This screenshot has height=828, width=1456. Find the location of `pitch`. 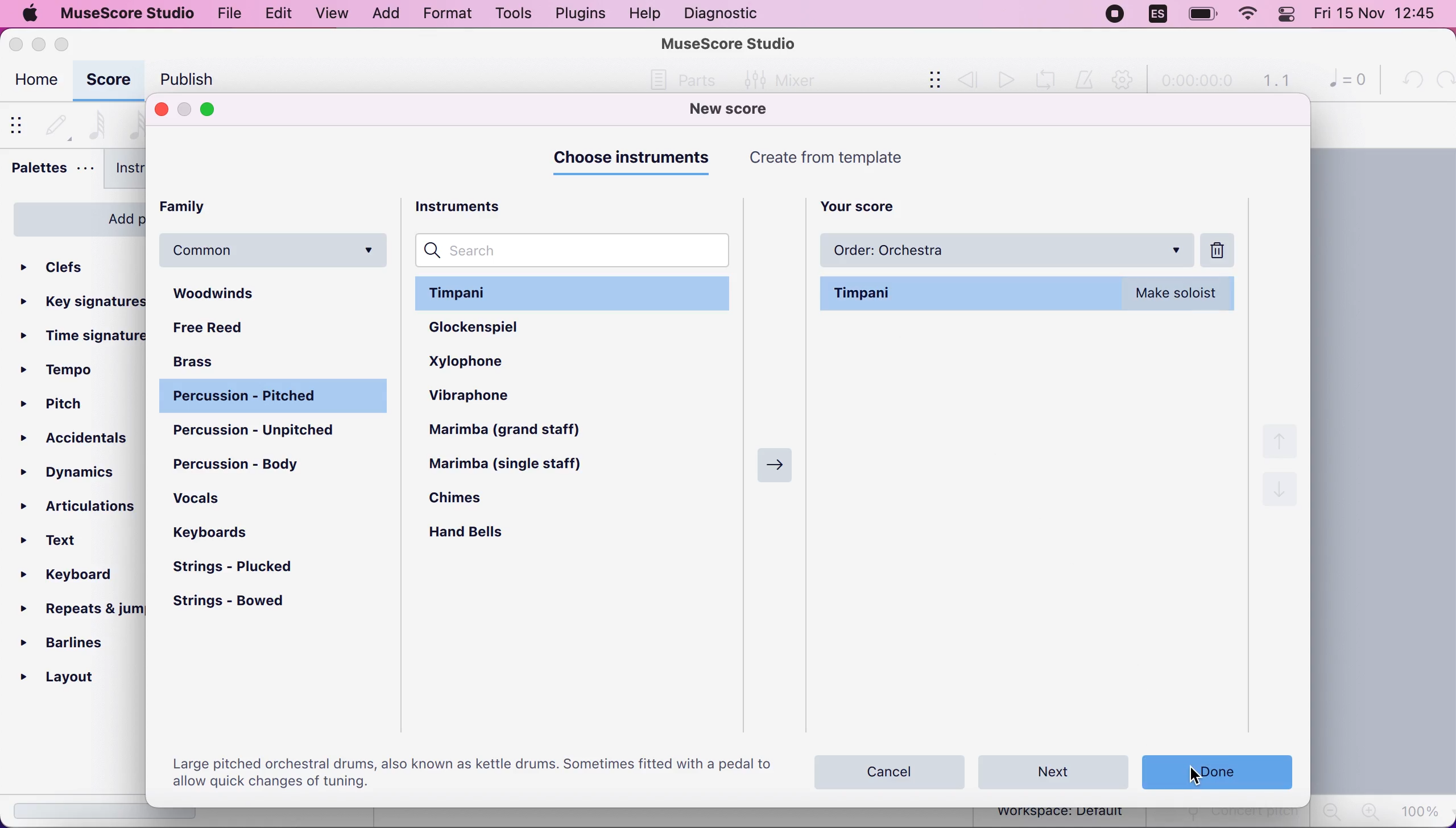

pitch is located at coordinates (59, 406).